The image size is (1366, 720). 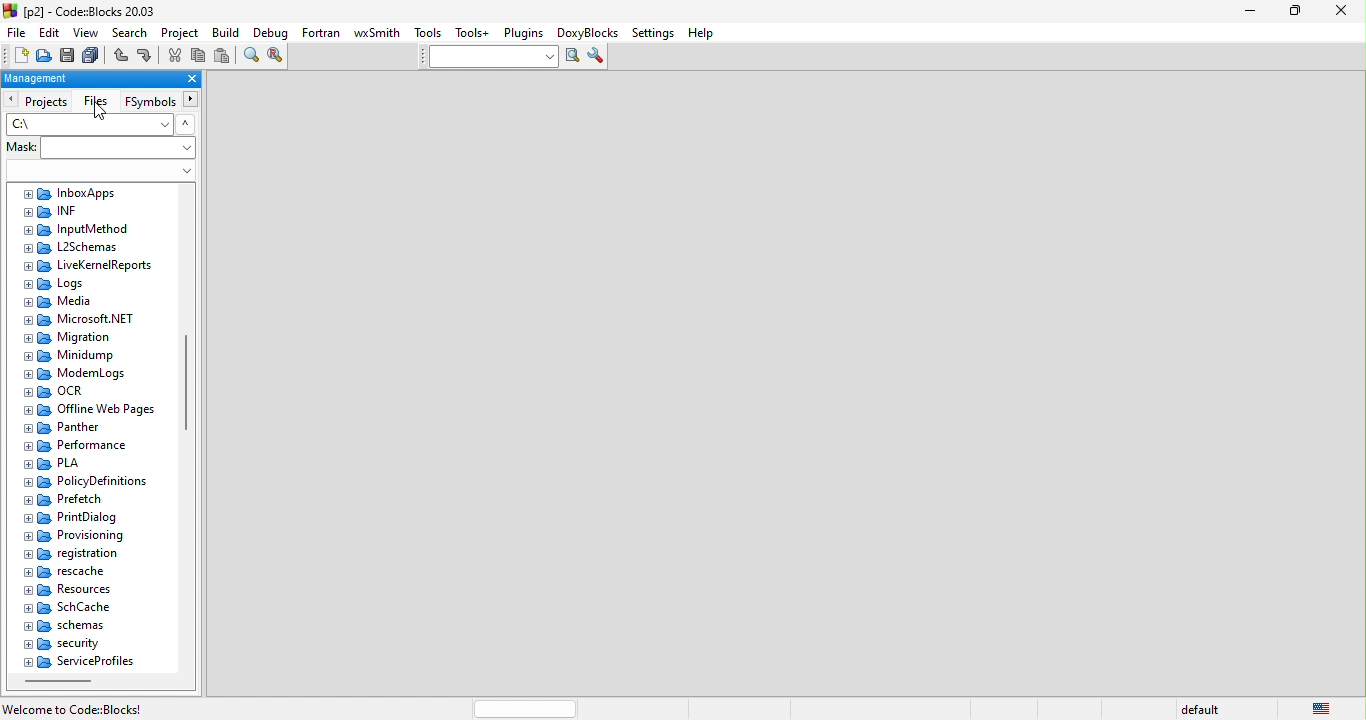 I want to click on edit, so click(x=52, y=34).